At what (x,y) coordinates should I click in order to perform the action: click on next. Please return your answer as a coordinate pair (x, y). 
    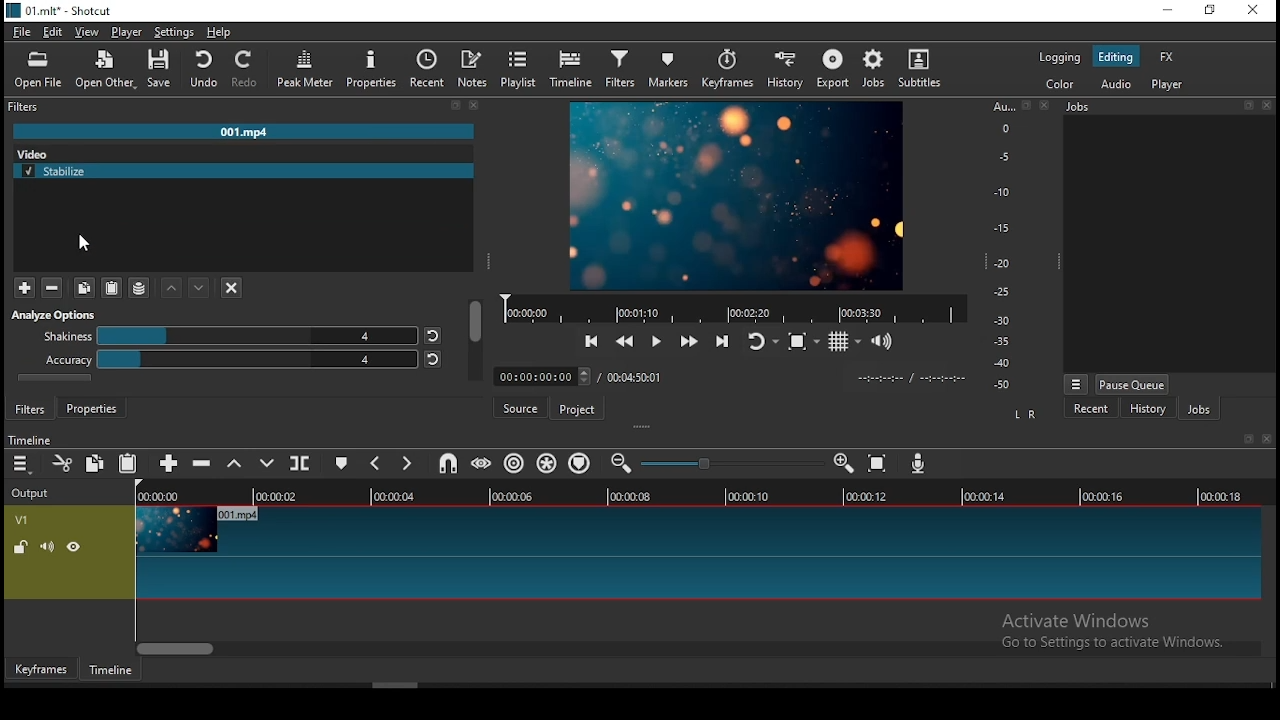
    Looking at the image, I should click on (723, 350).